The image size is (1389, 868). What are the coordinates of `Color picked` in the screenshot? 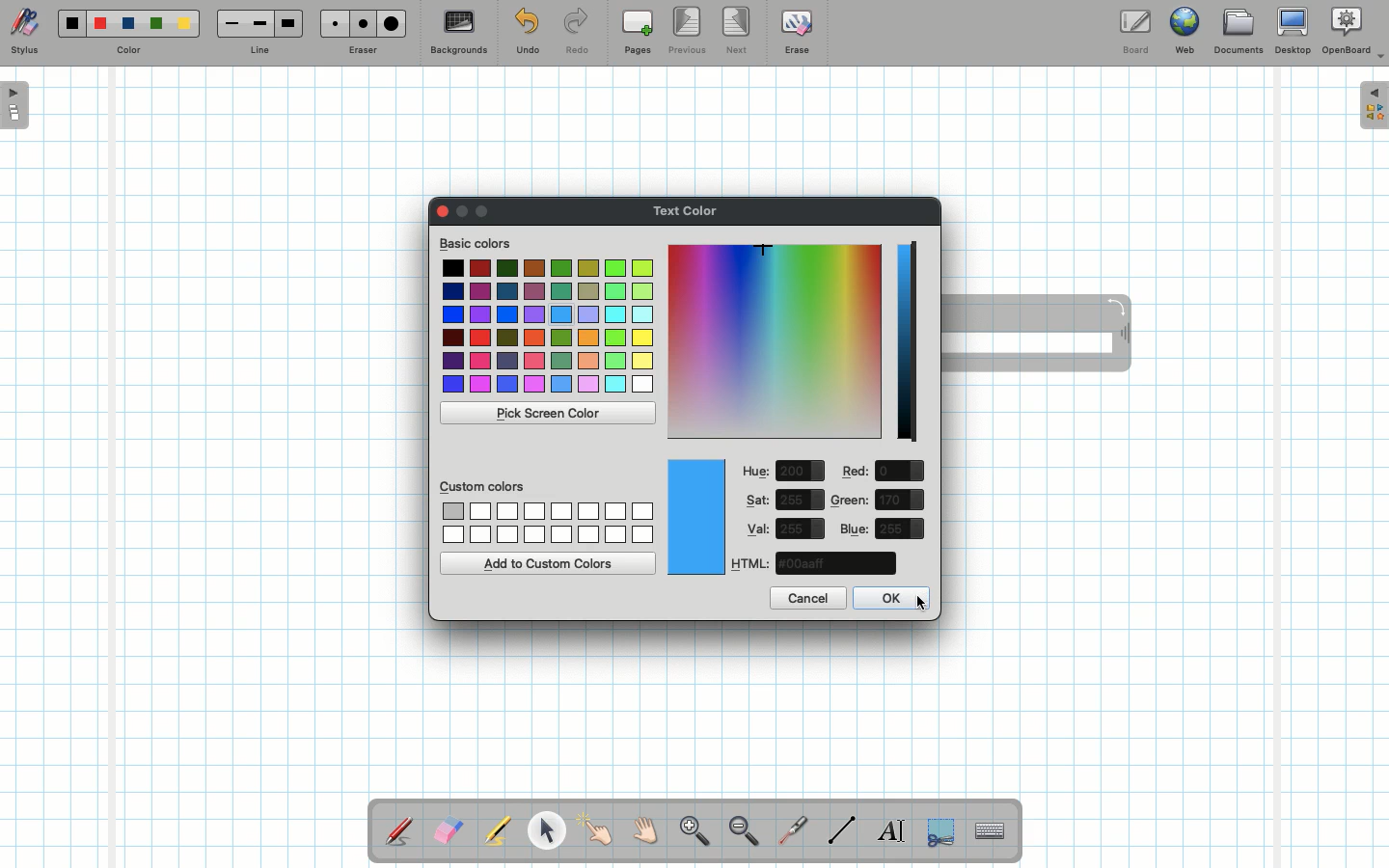 It's located at (695, 517).